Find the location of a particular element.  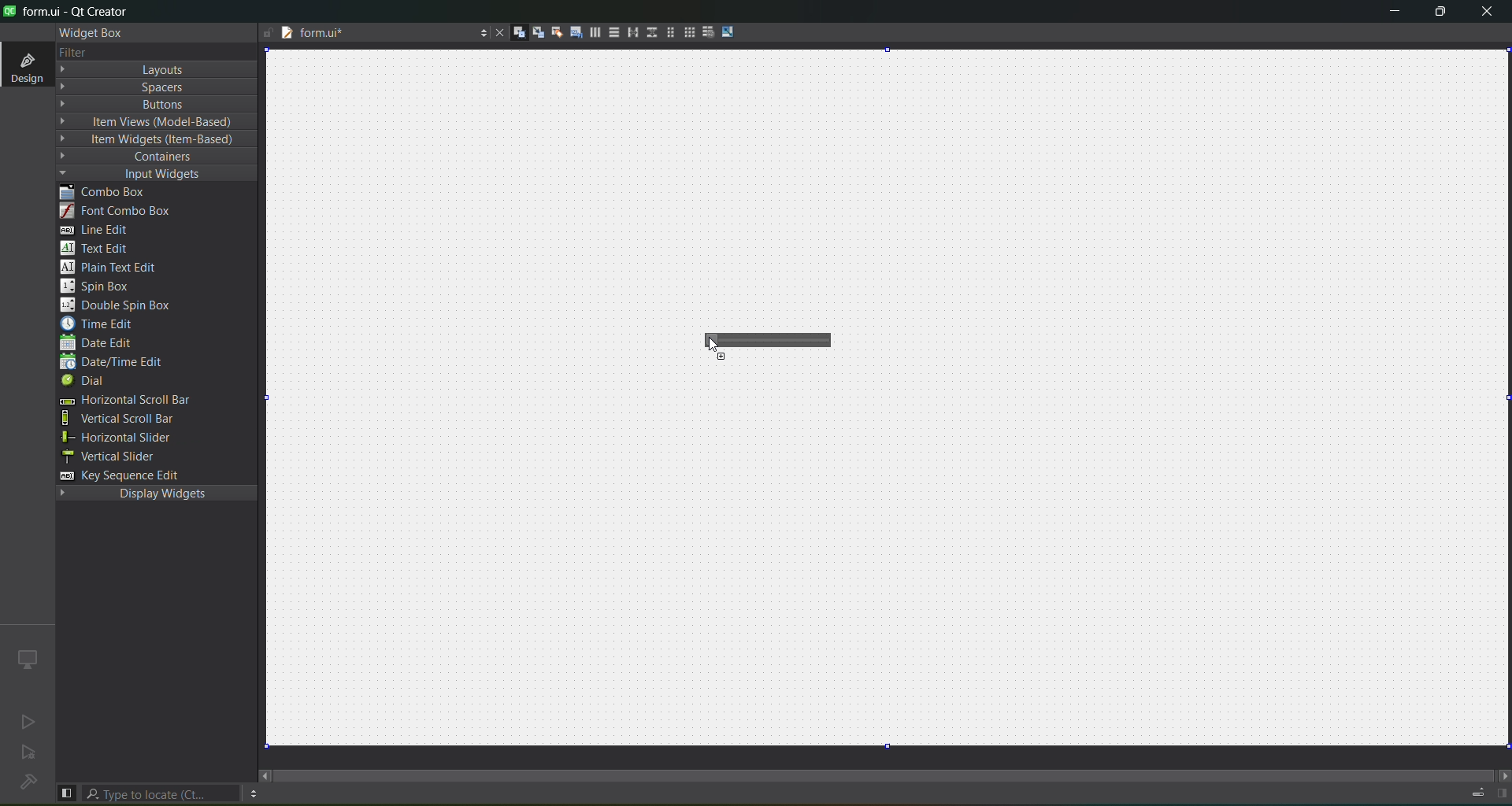

layout in a form is located at coordinates (672, 33).